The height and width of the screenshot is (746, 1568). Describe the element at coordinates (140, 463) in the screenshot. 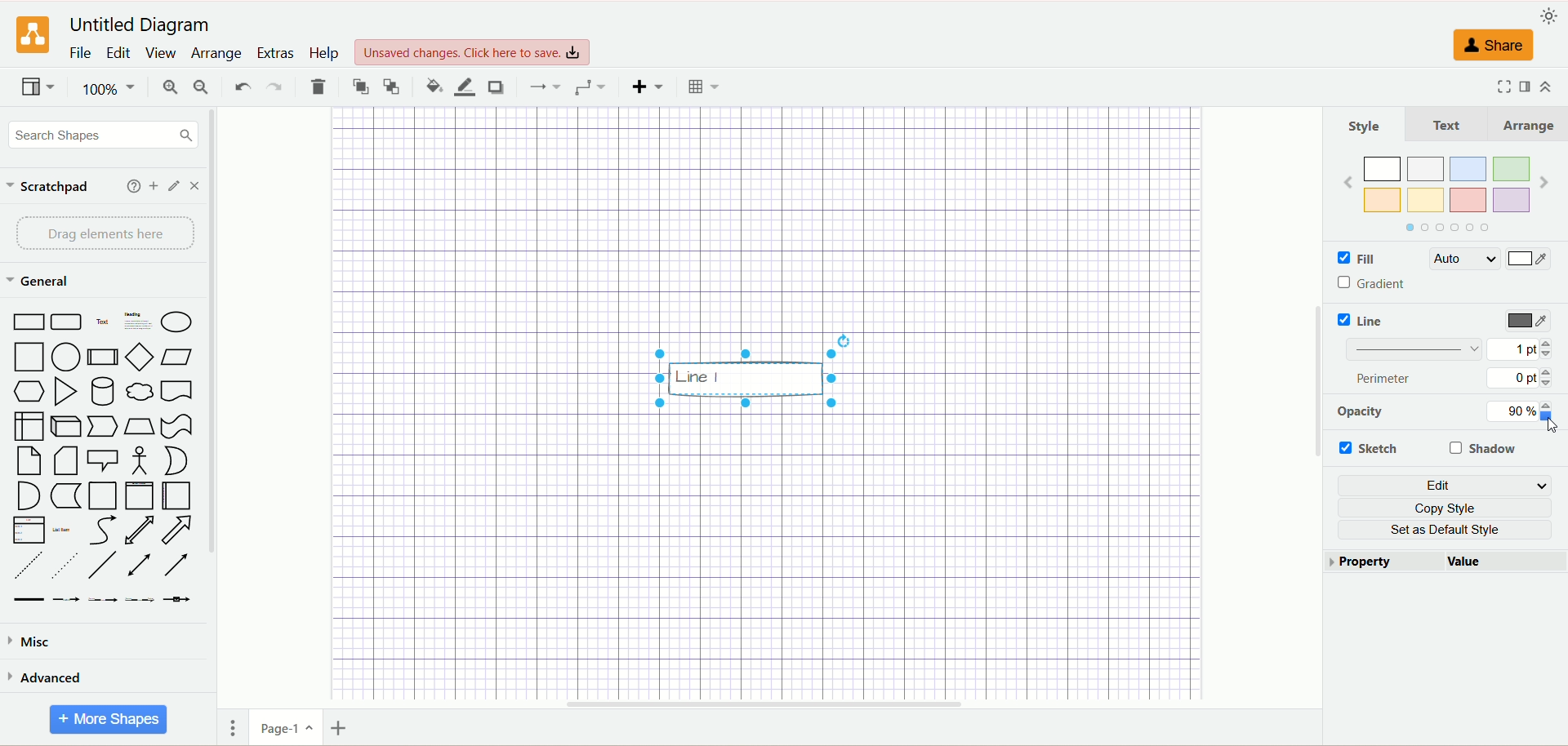

I see `Actor` at that location.